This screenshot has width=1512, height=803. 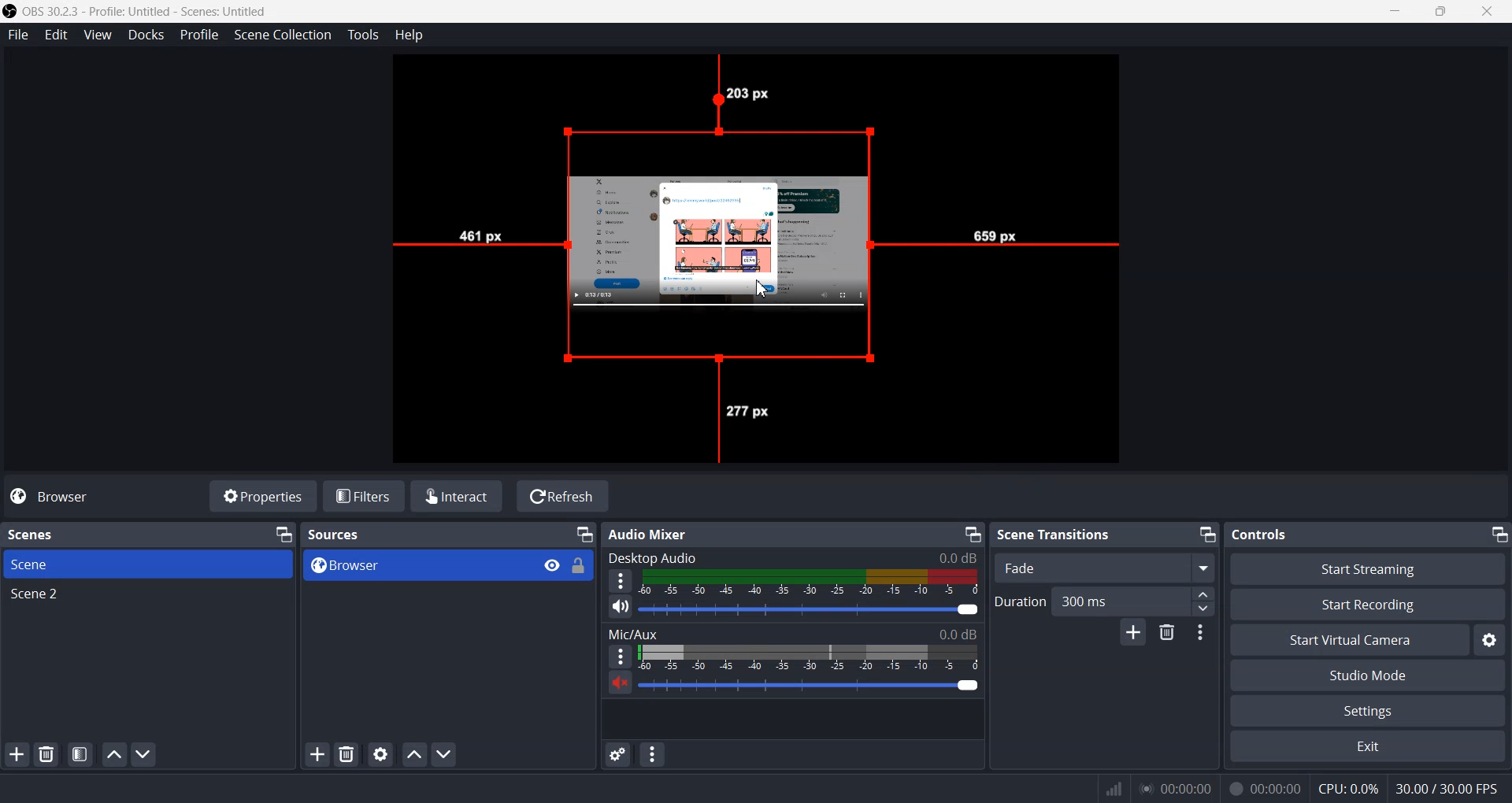 I want to click on Sound volume Adjuster, so click(x=810, y=609).